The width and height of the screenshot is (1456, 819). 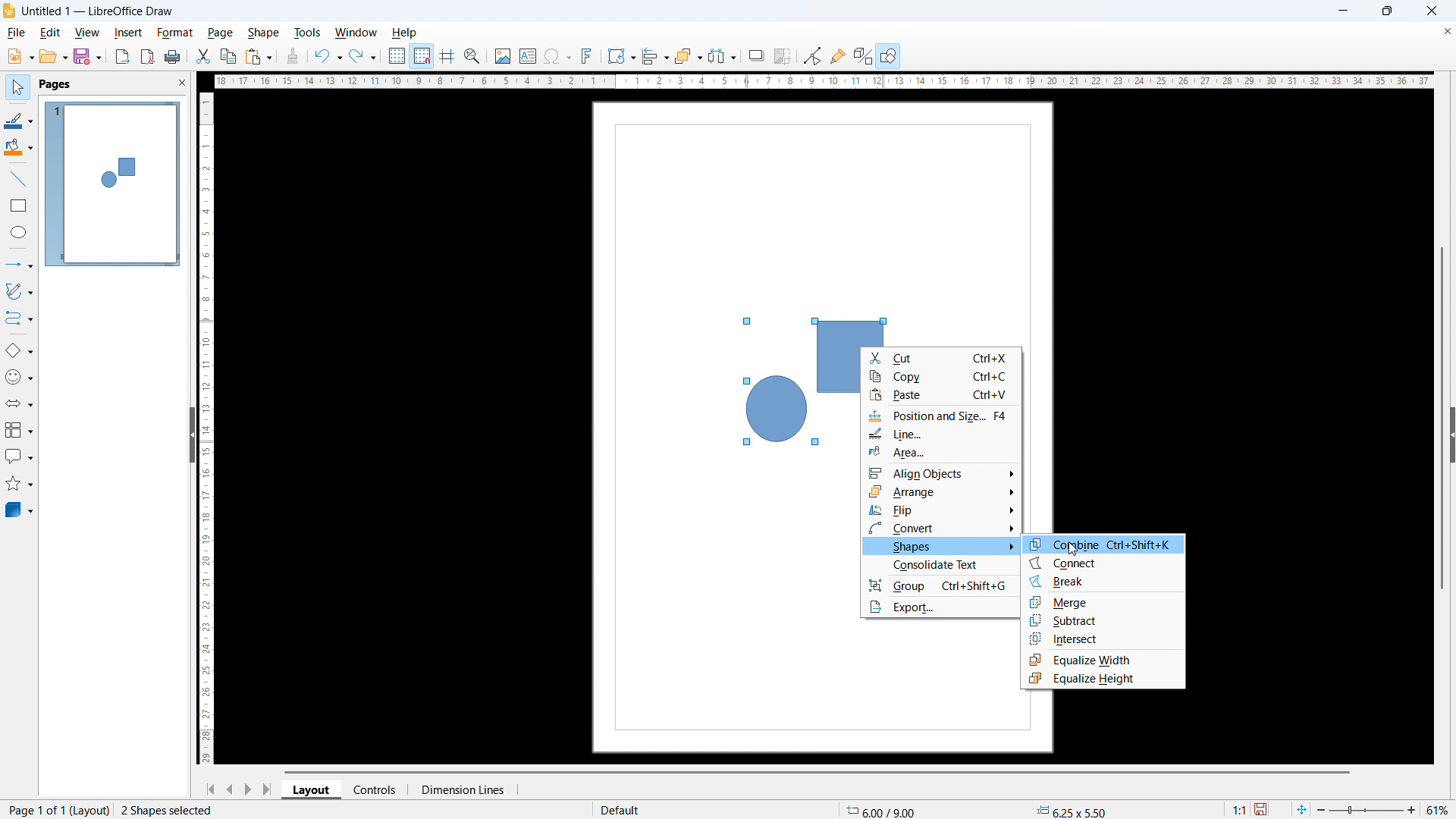 What do you see at coordinates (619, 809) in the screenshot?
I see `default page display` at bounding box center [619, 809].